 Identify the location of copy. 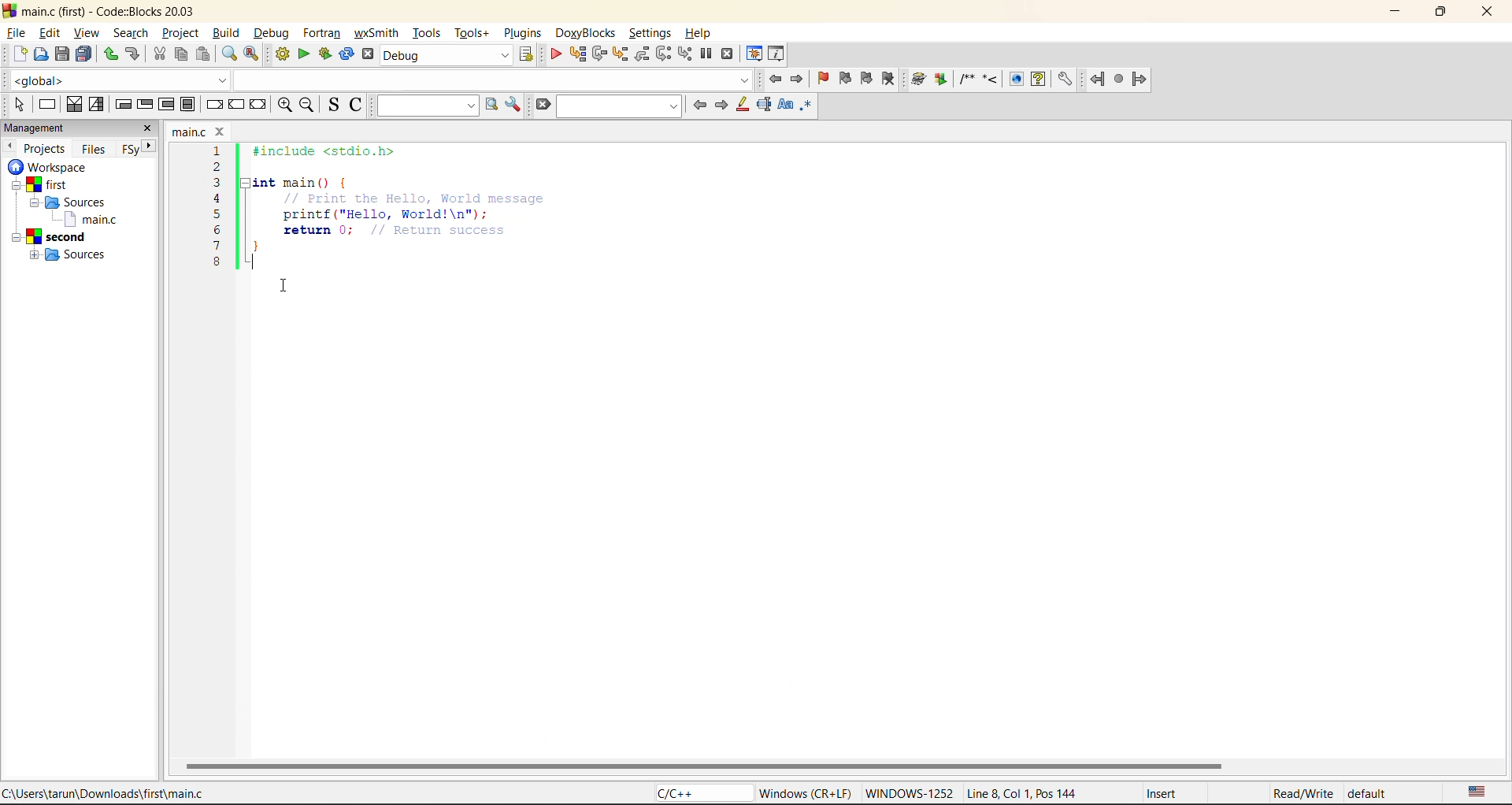
(183, 57).